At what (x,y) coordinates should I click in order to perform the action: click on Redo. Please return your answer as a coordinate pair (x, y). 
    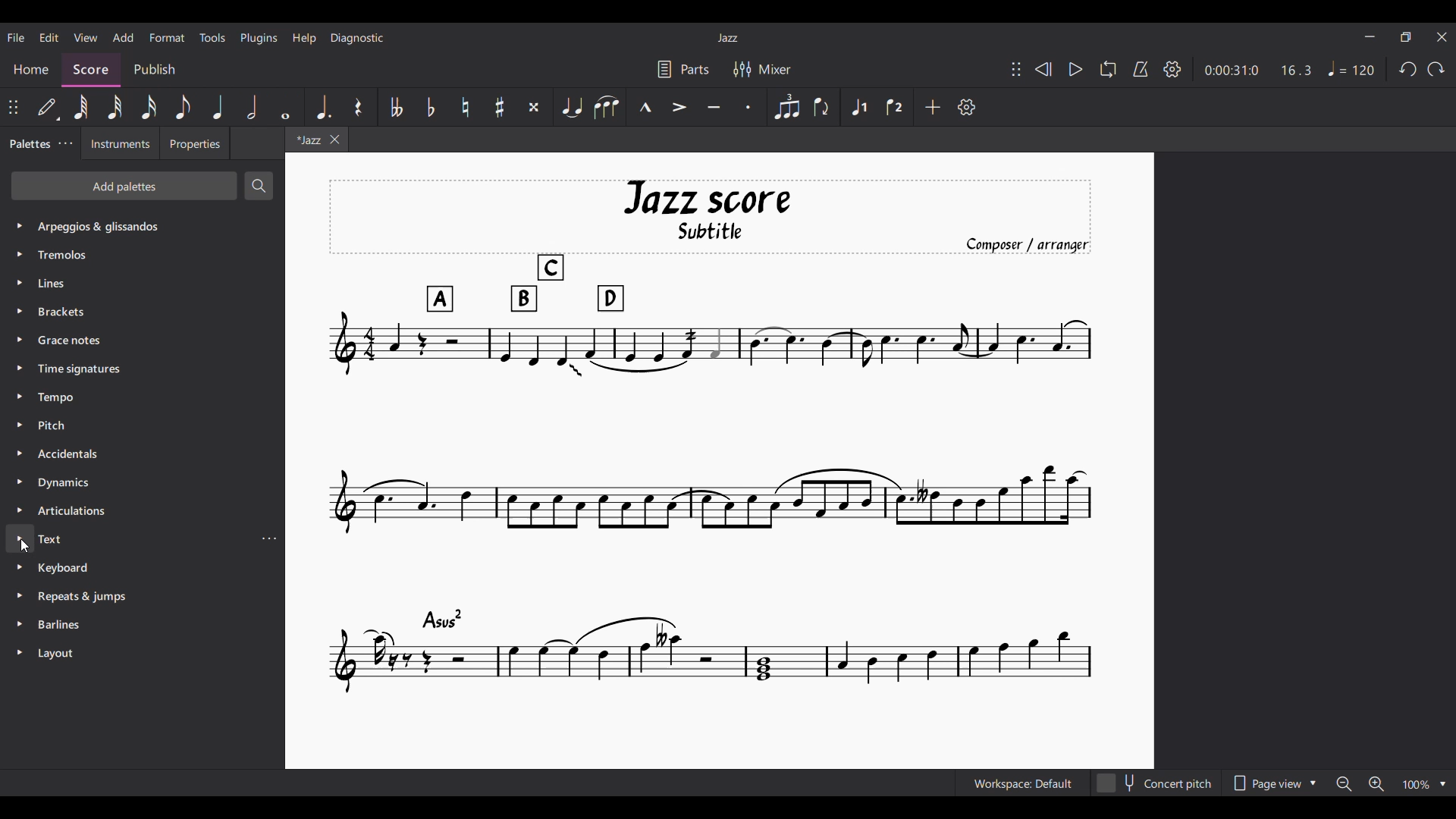
    Looking at the image, I should click on (1436, 69).